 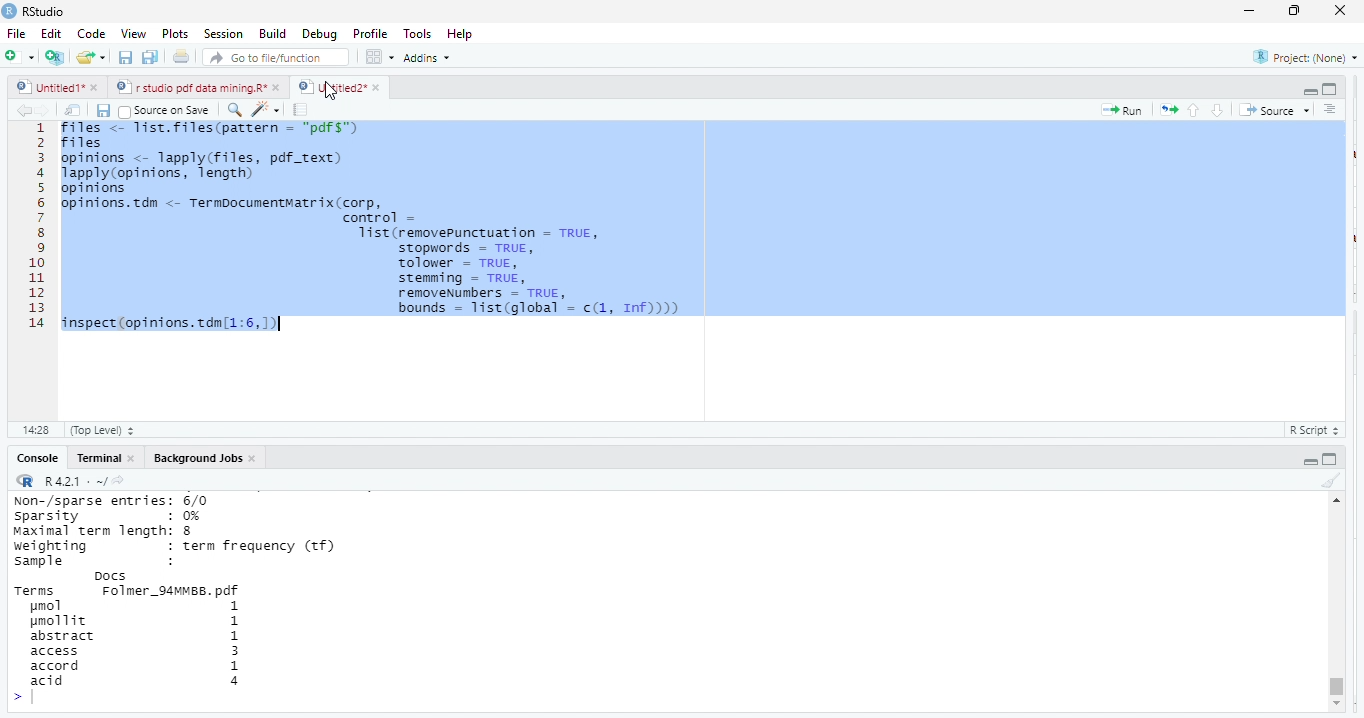 What do you see at coordinates (24, 110) in the screenshot?
I see `go back to the previous source location` at bounding box center [24, 110].